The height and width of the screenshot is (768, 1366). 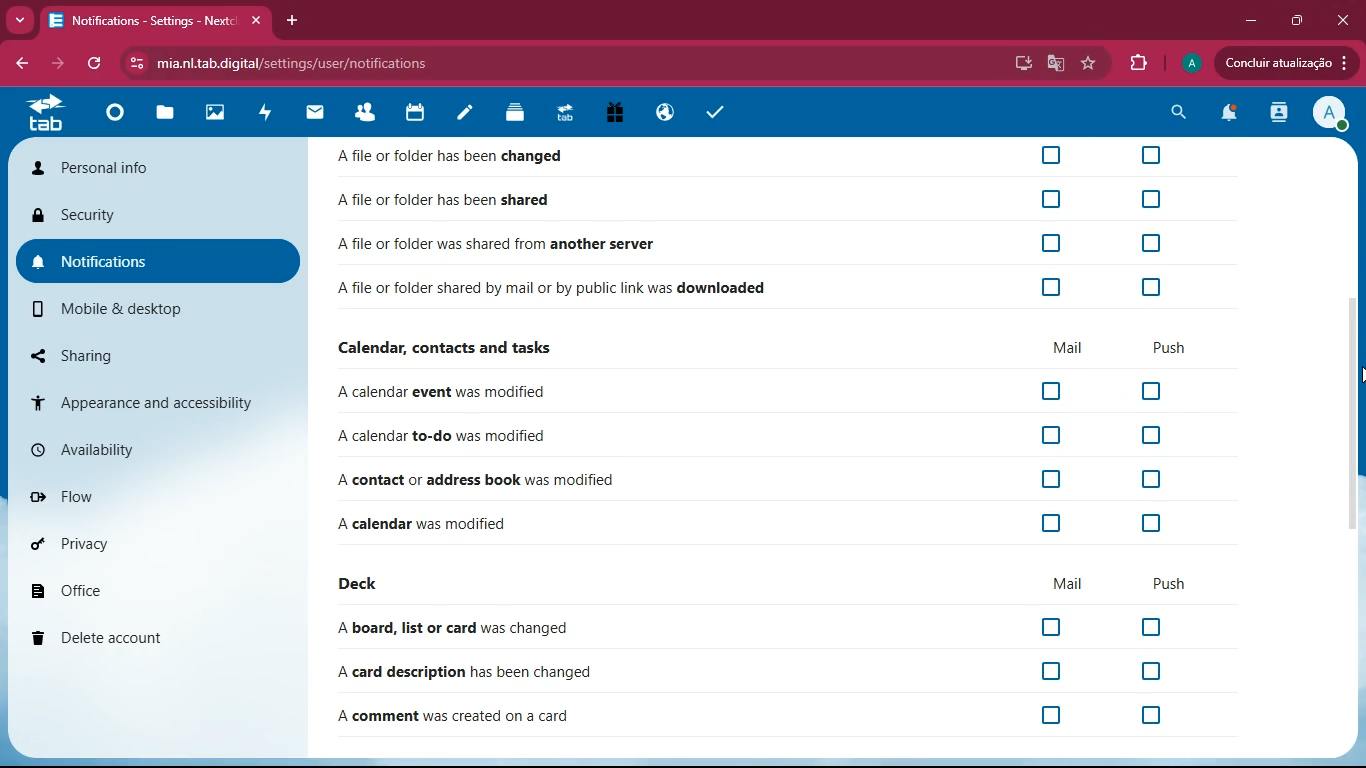 I want to click on delete account, so click(x=143, y=638).